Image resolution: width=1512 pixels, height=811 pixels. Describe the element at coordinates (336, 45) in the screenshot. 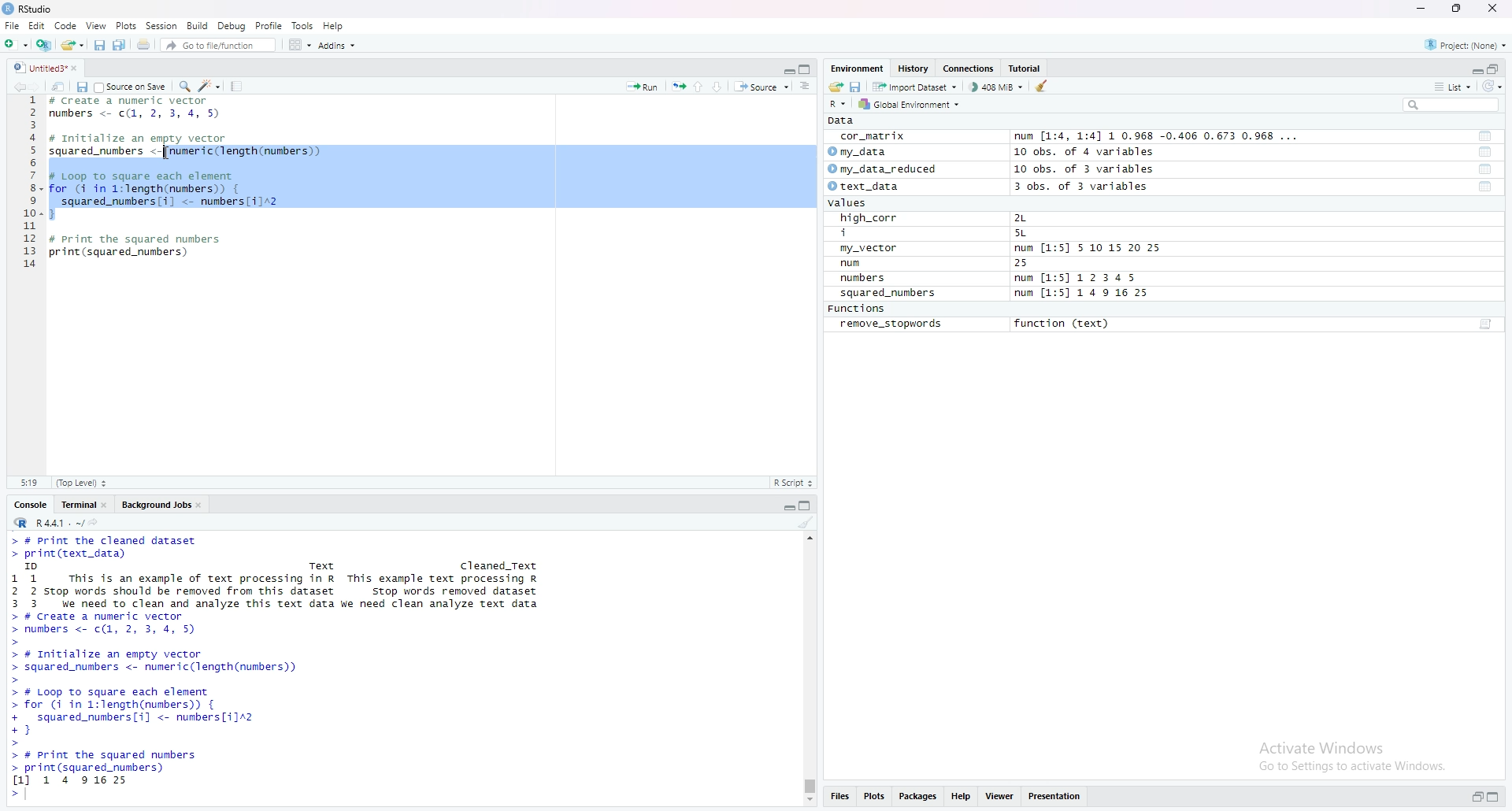

I see `Addins` at that location.